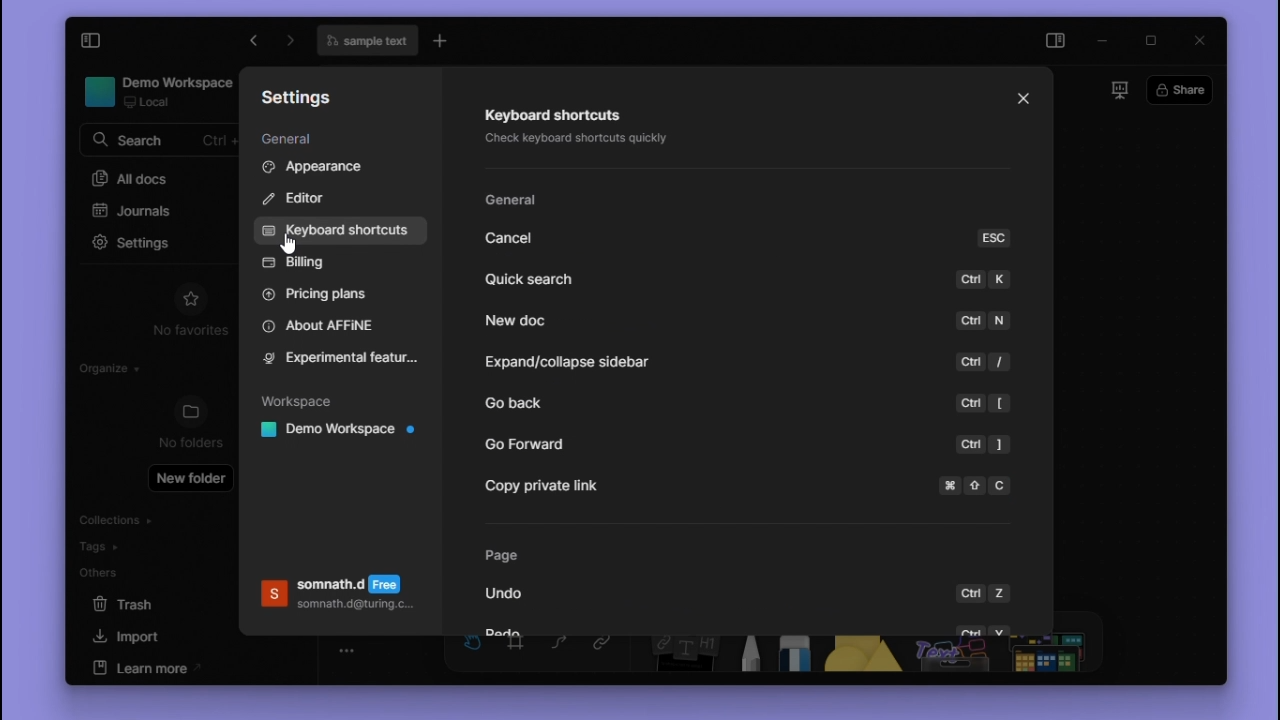  I want to click on filename text, so click(366, 41).